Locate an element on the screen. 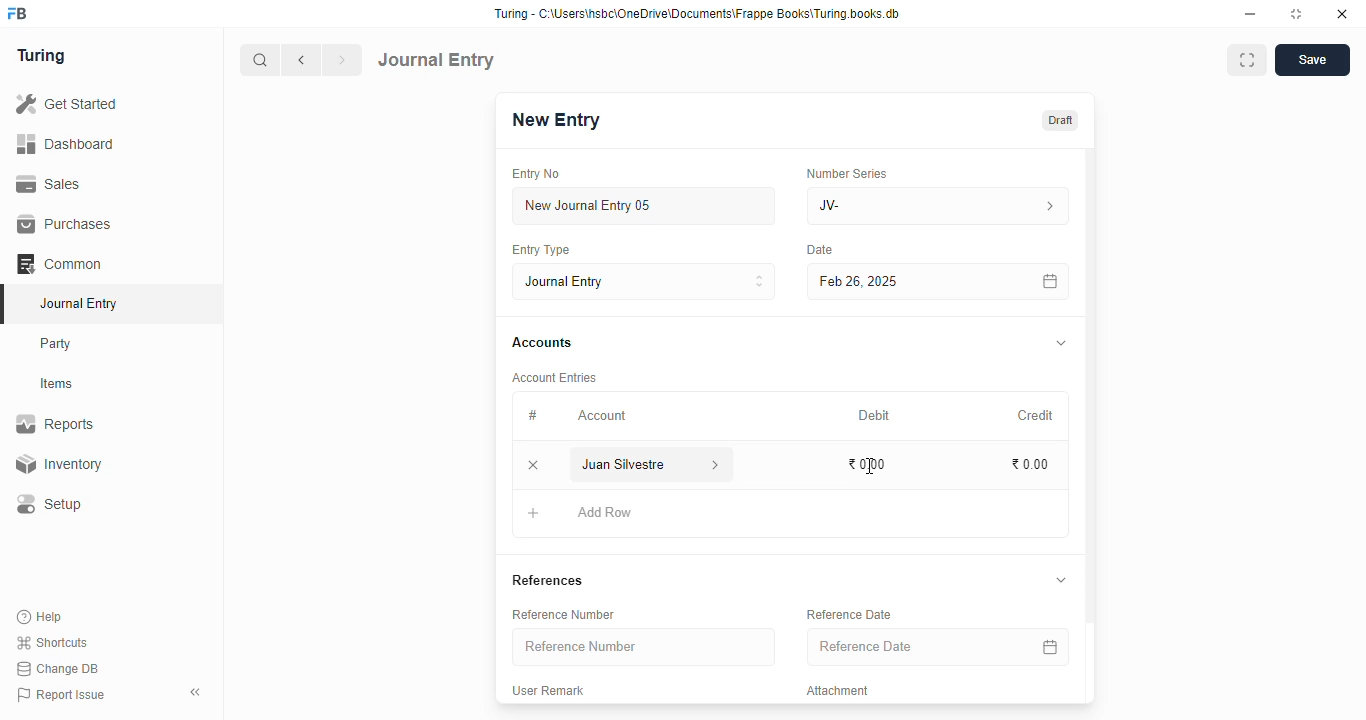 This screenshot has width=1366, height=720. FB - logo is located at coordinates (17, 13).